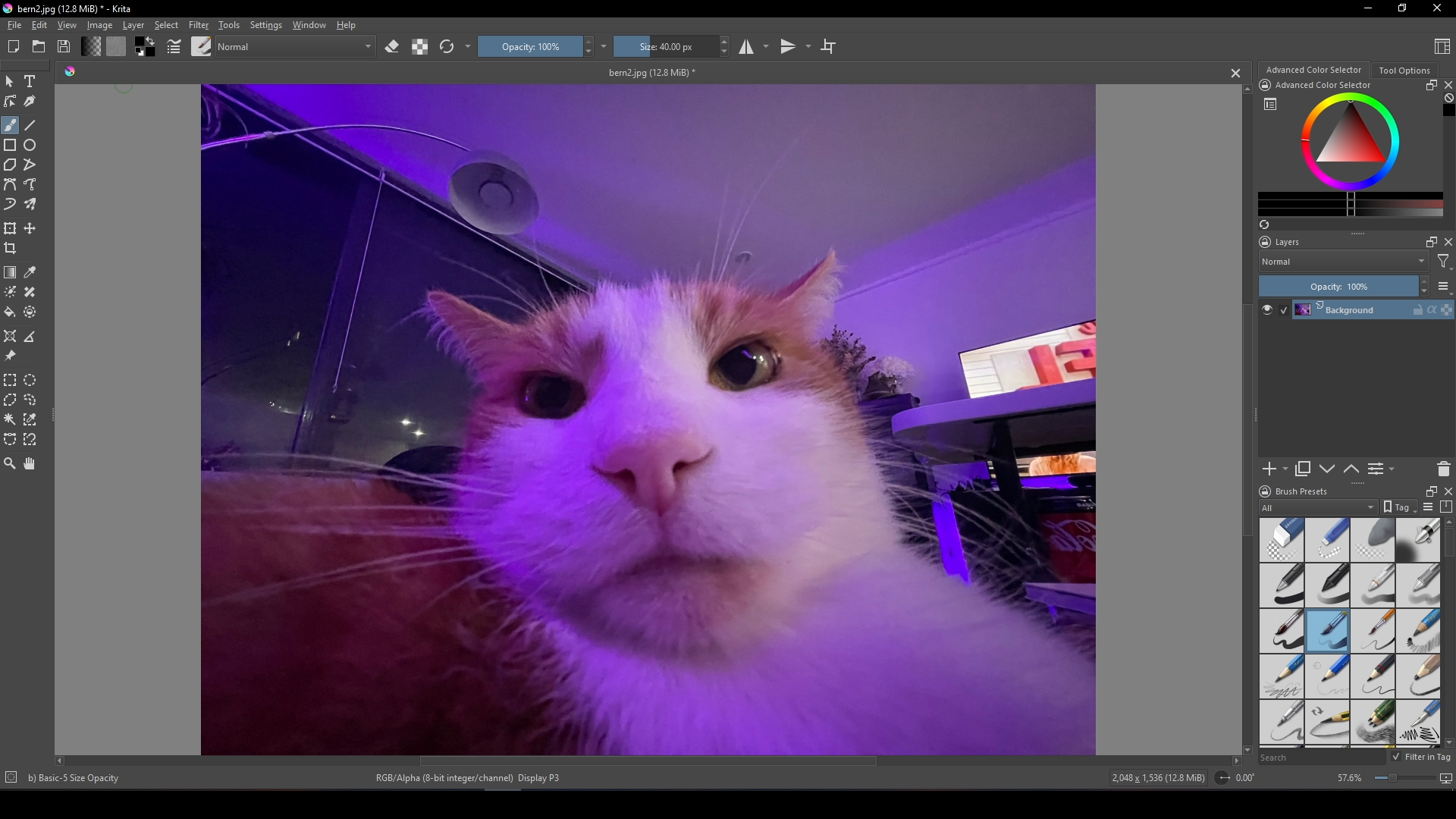  What do you see at coordinates (1276, 309) in the screenshot?
I see `Layer visibility` at bounding box center [1276, 309].